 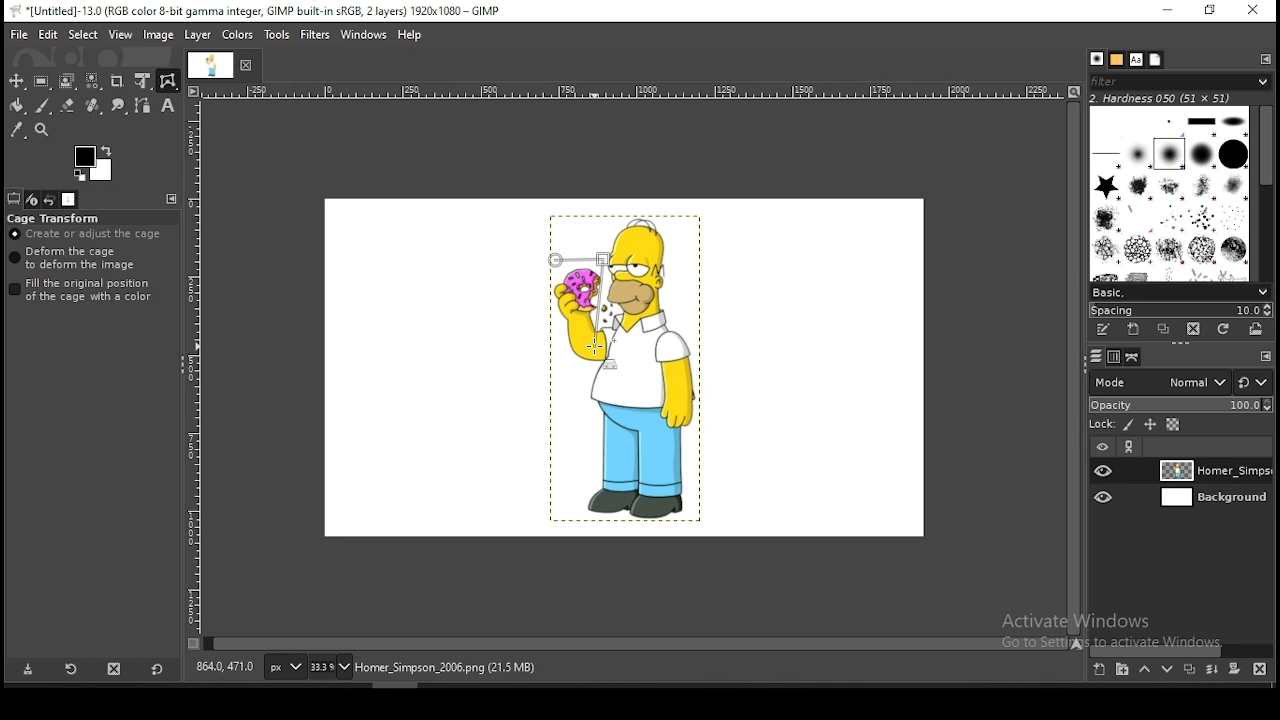 What do you see at coordinates (261, 11) in the screenshot?
I see `*[untitled]-13.0 (rgb color 8-bit gamma integer, gimp built-in sRGB, 2 layers) 1920x1080 - gimp` at bounding box center [261, 11].